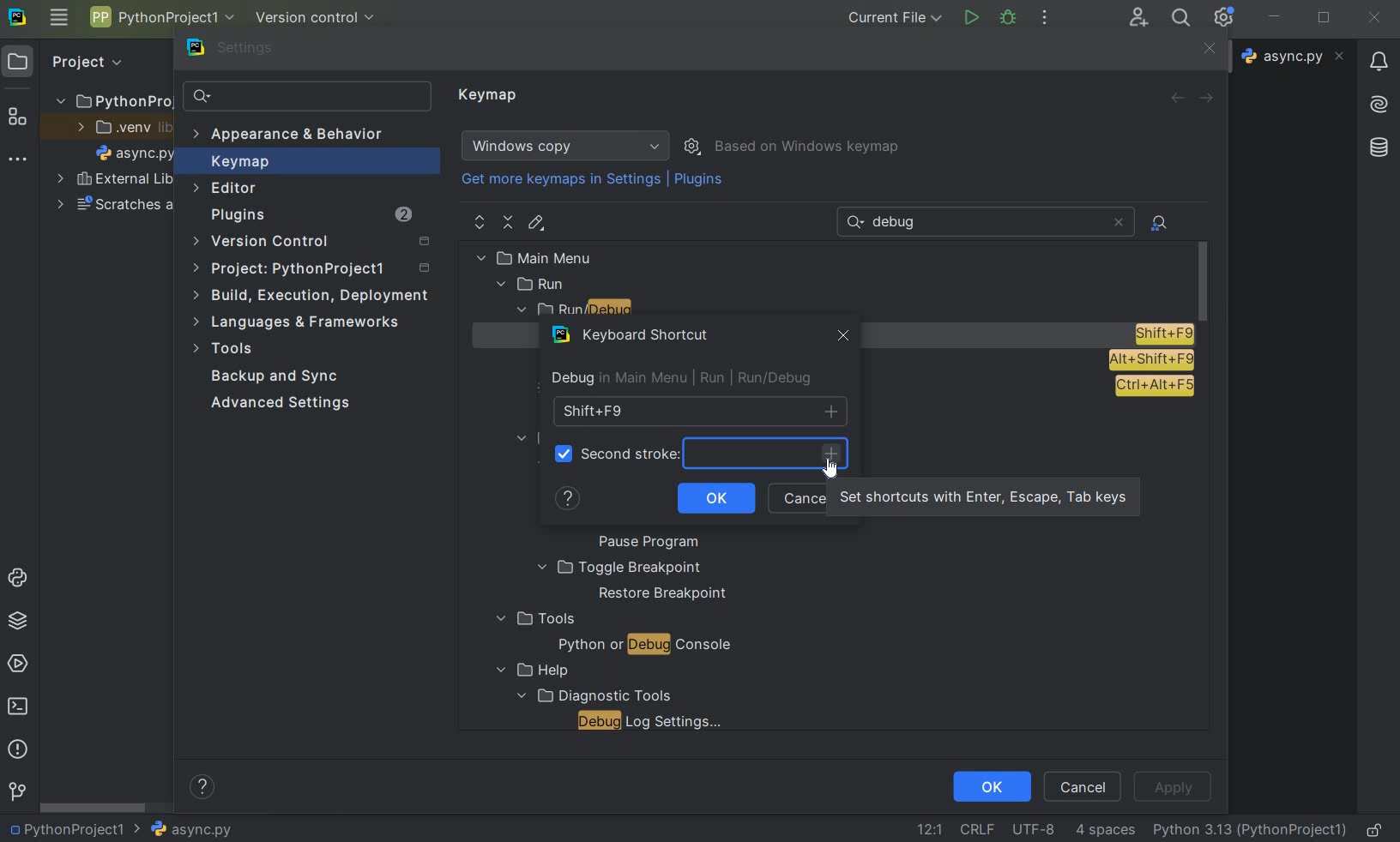 The height and width of the screenshot is (842, 1400). Describe the element at coordinates (808, 147) in the screenshot. I see `based on windows keymap` at that location.